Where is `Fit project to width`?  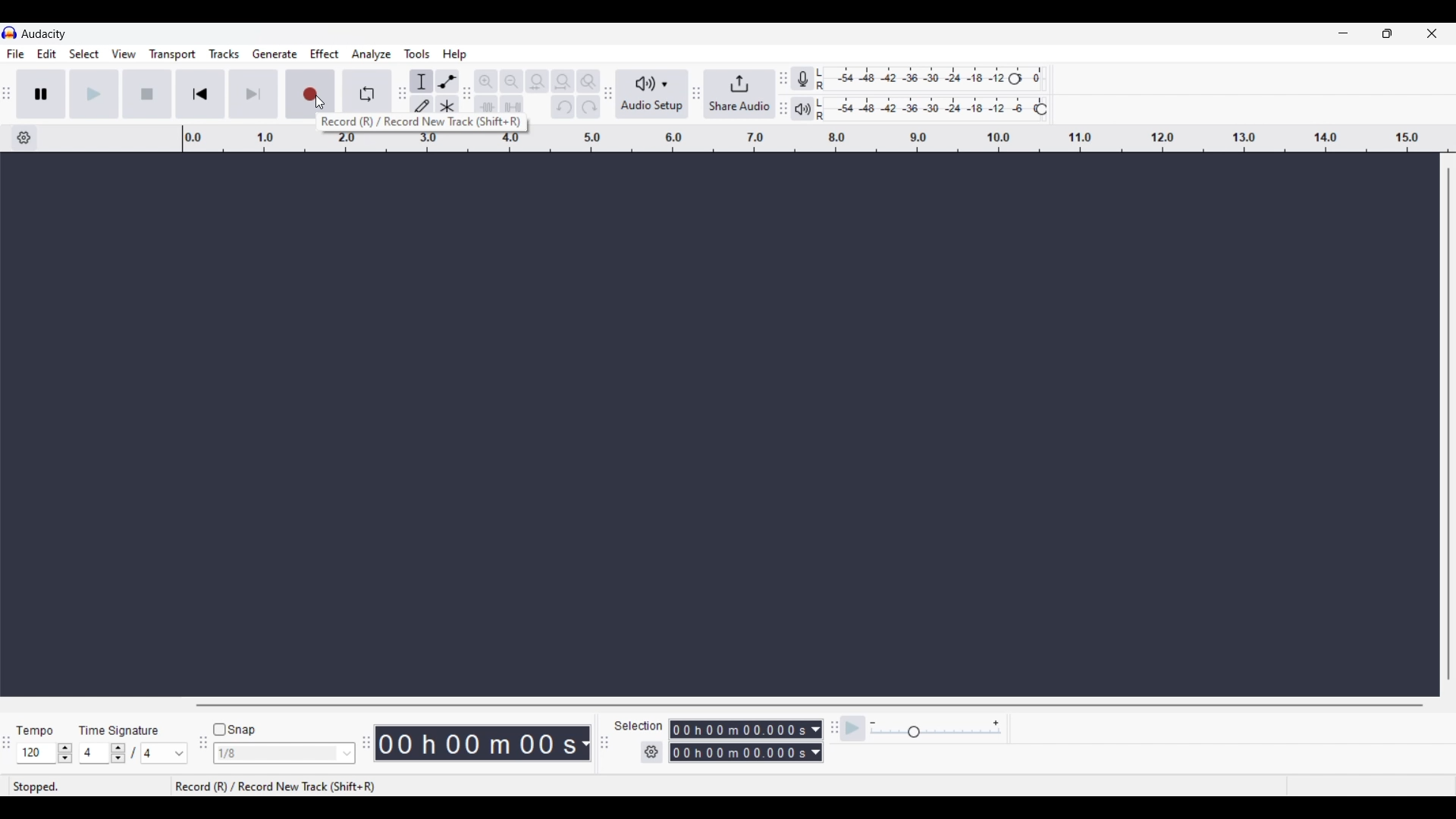
Fit project to width is located at coordinates (563, 82).